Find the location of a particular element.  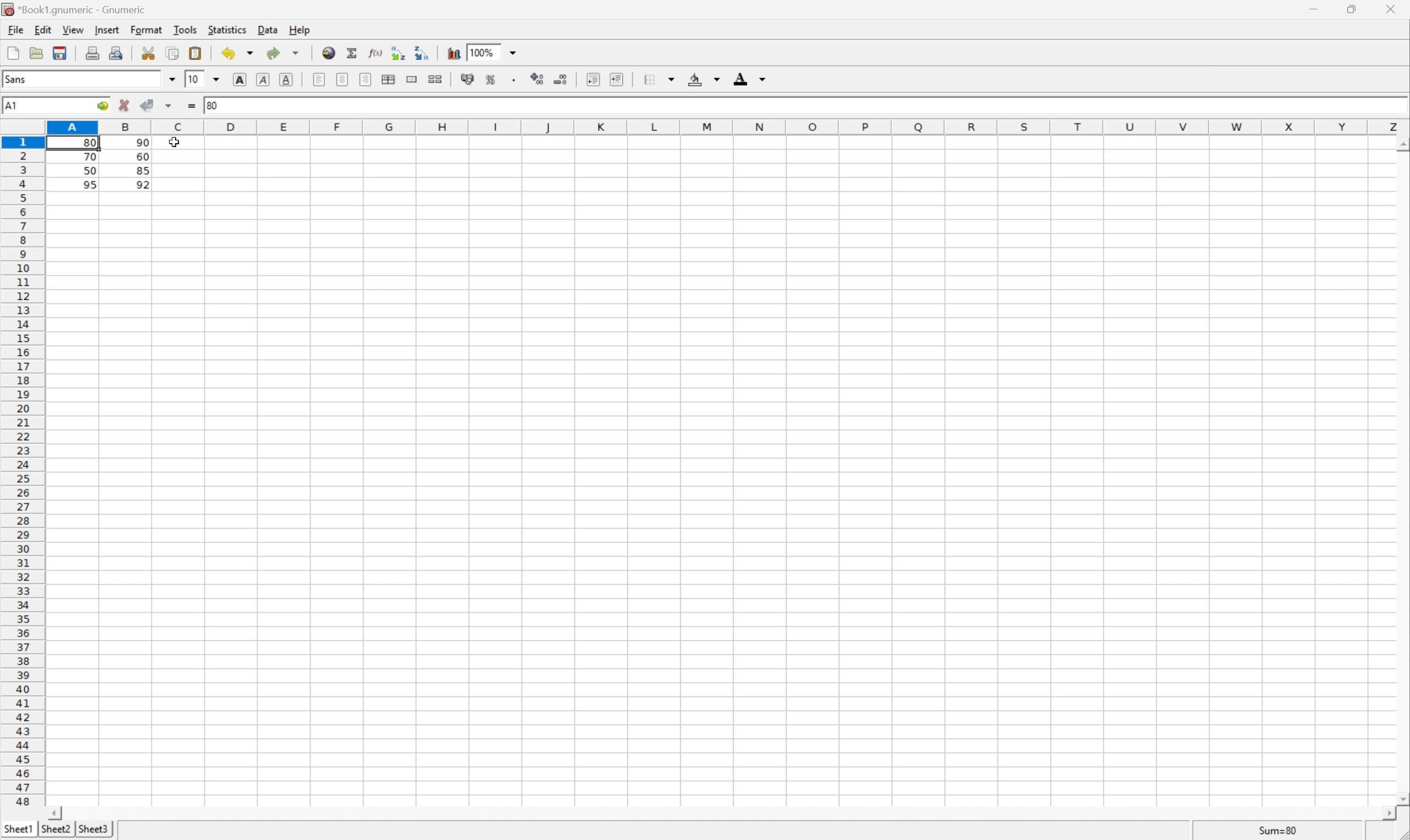

Data is located at coordinates (268, 31).